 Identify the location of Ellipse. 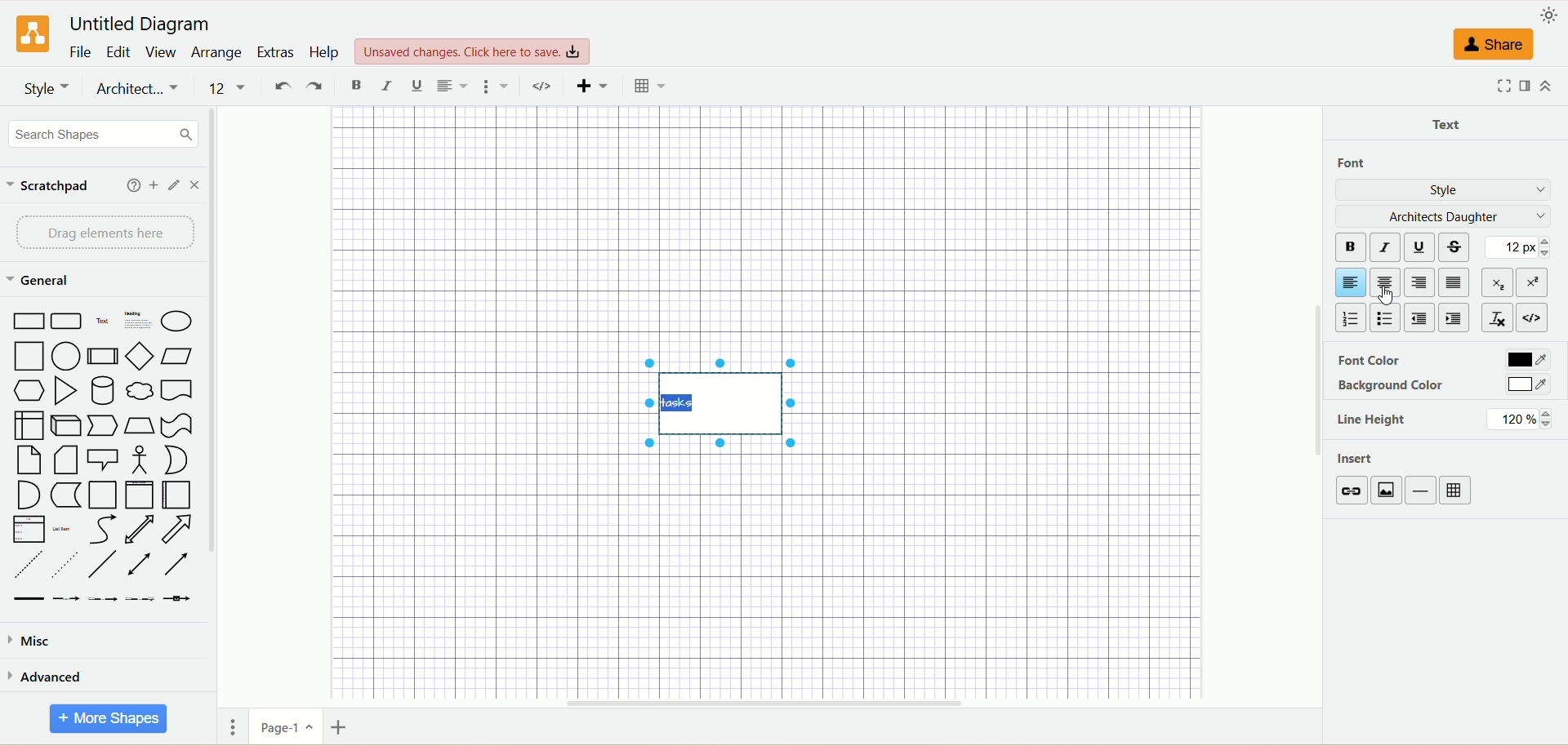
(177, 322).